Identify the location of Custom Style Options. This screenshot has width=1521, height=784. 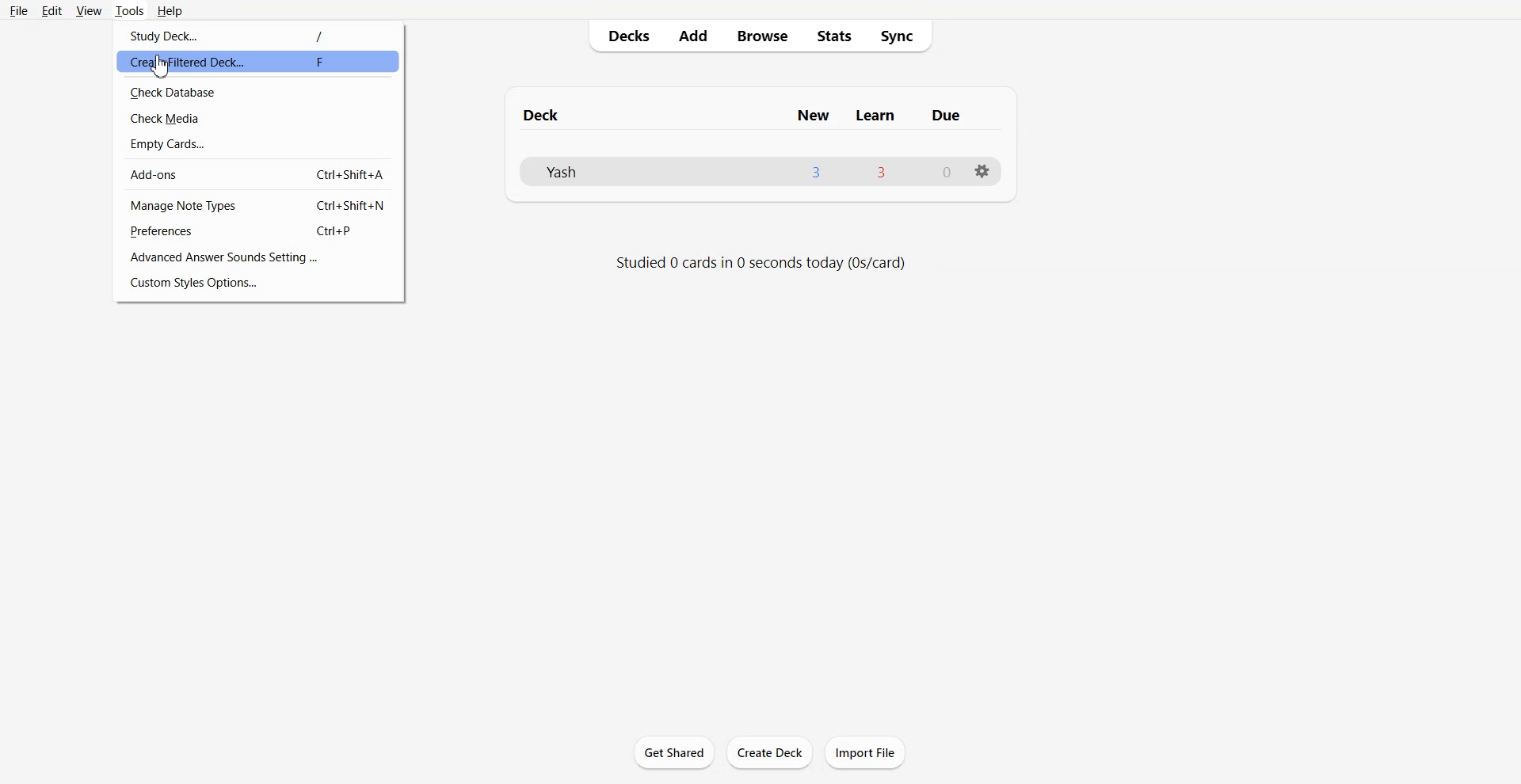
(259, 283).